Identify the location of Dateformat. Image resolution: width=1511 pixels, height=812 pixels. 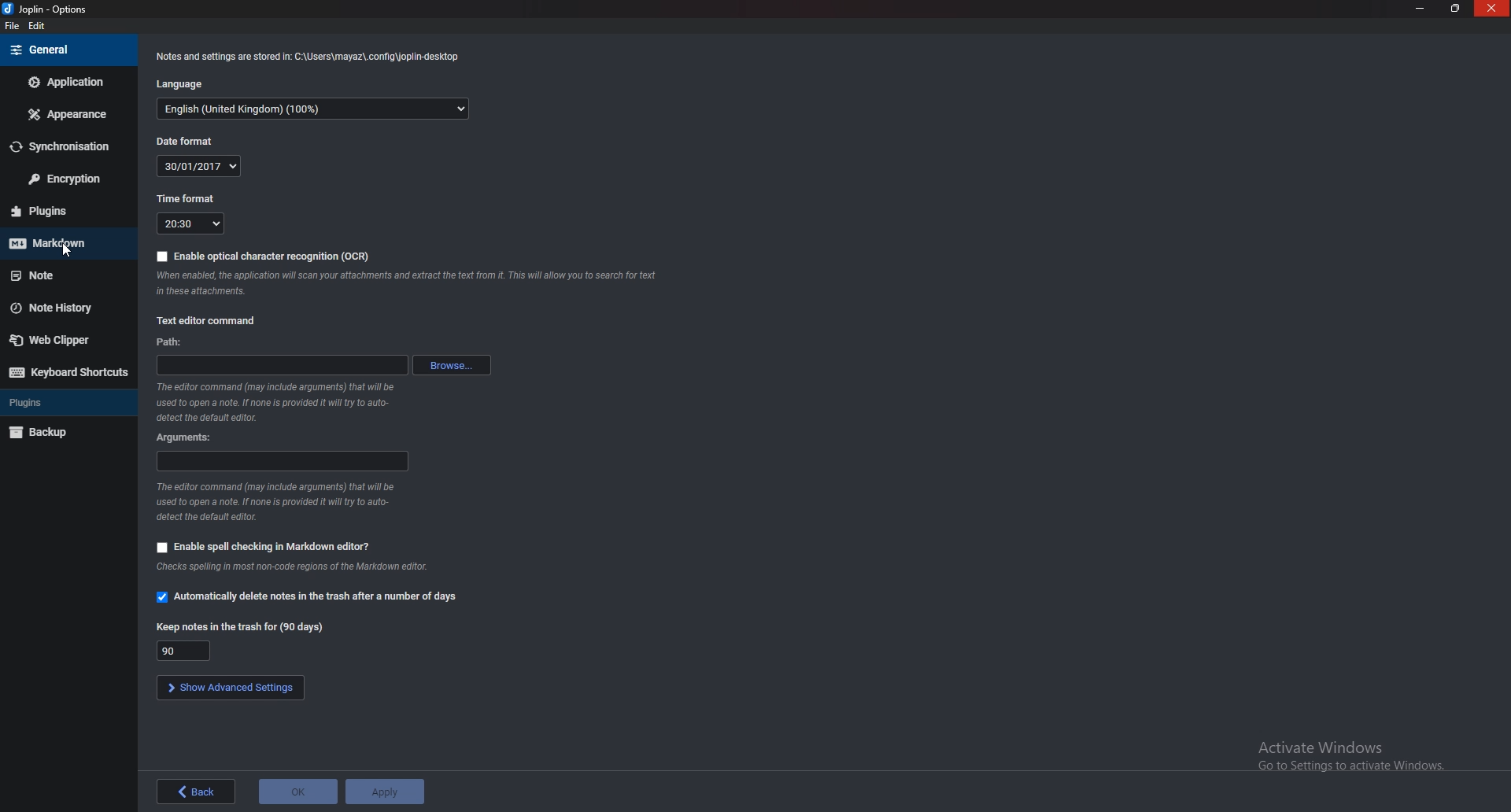
(181, 142).